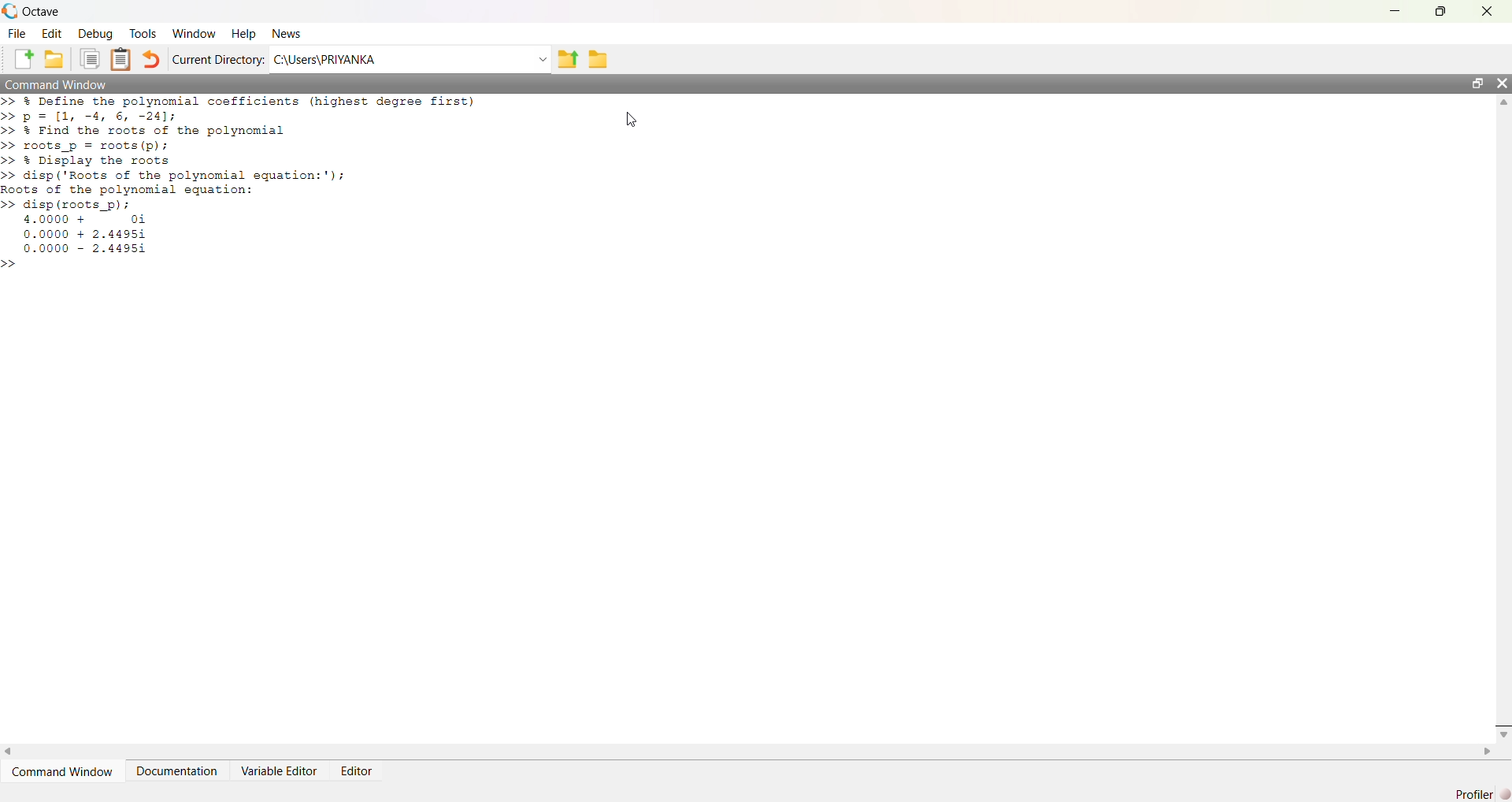 The width and height of the screenshot is (1512, 802). I want to click on File, so click(15, 35).